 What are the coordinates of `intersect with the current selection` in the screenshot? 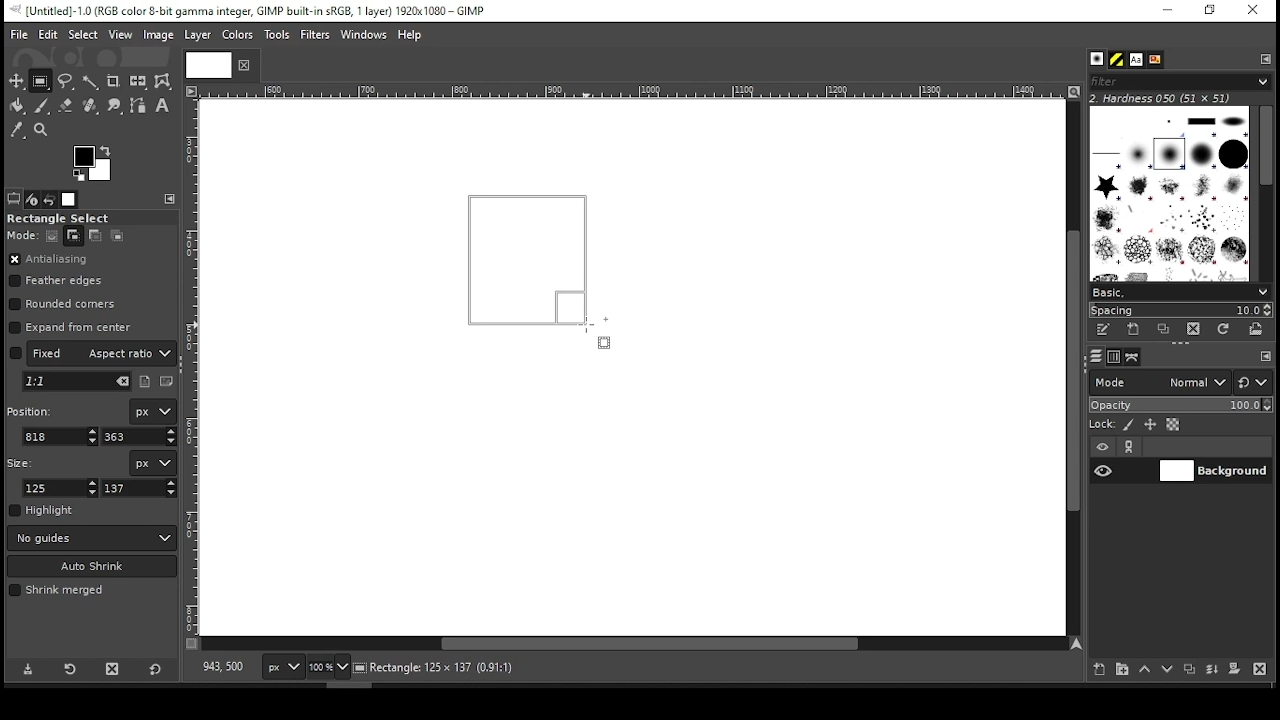 It's located at (116, 235).